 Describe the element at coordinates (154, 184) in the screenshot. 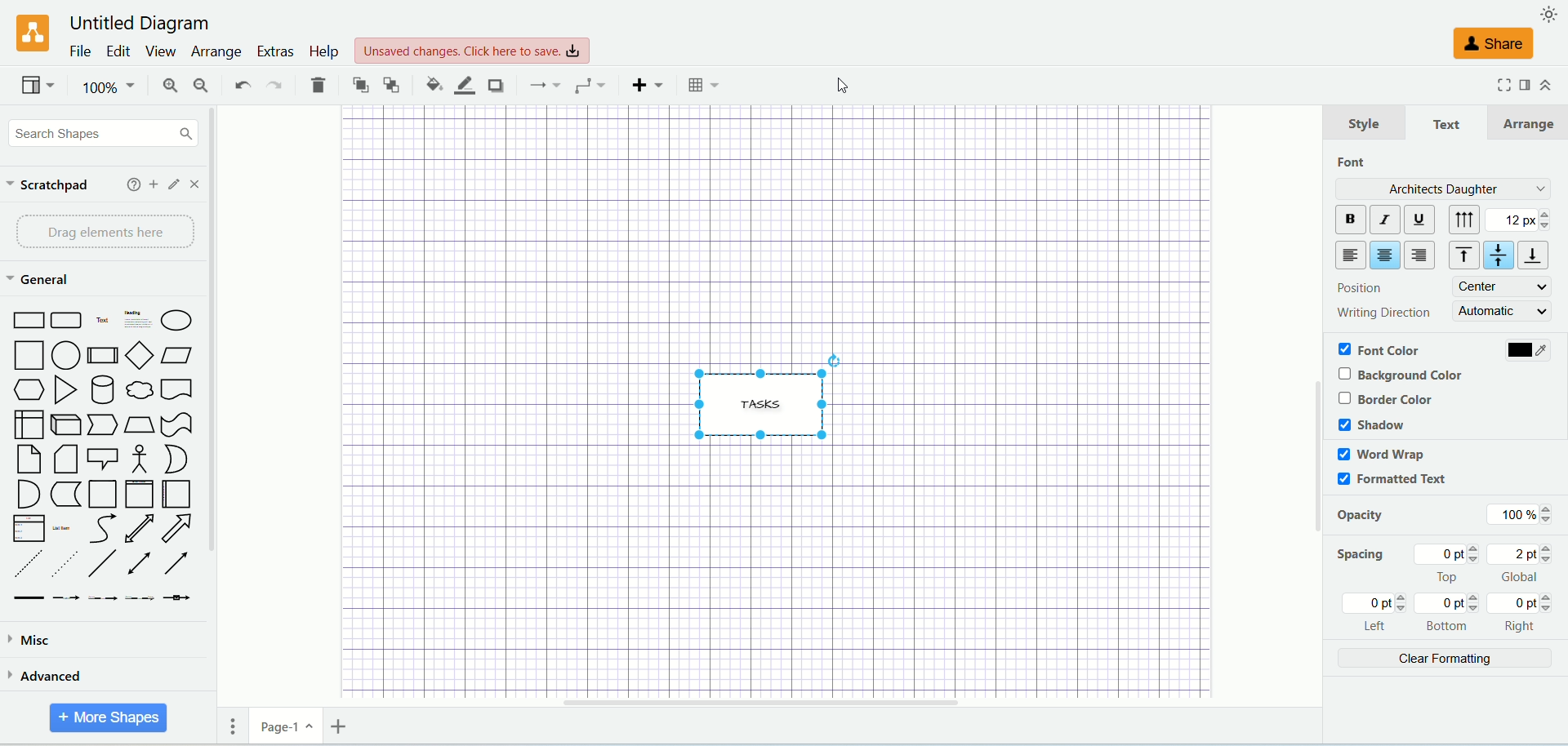

I see `add` at that location.